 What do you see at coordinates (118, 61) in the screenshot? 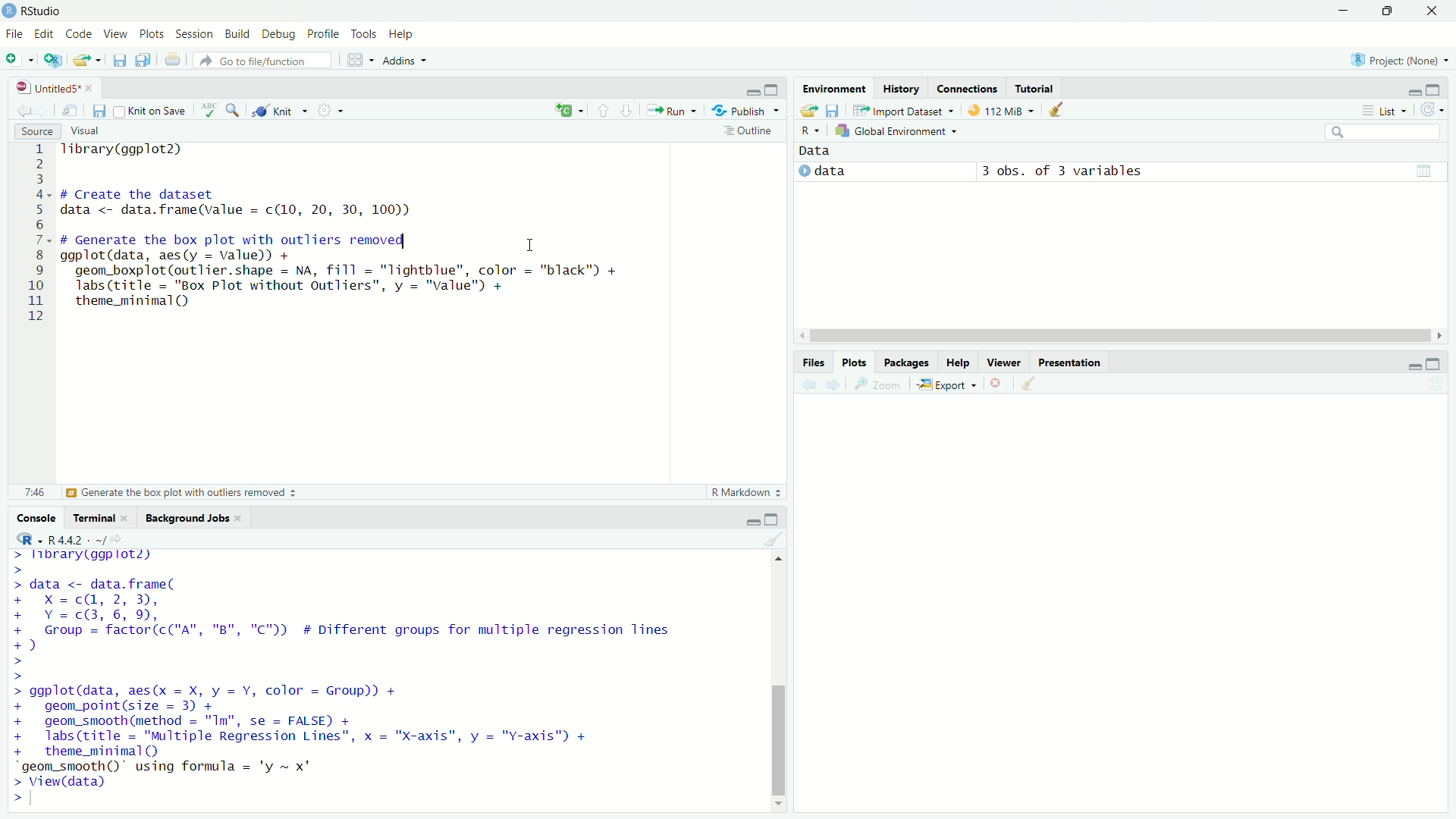
I see `files` at bounding box center [118, 61].